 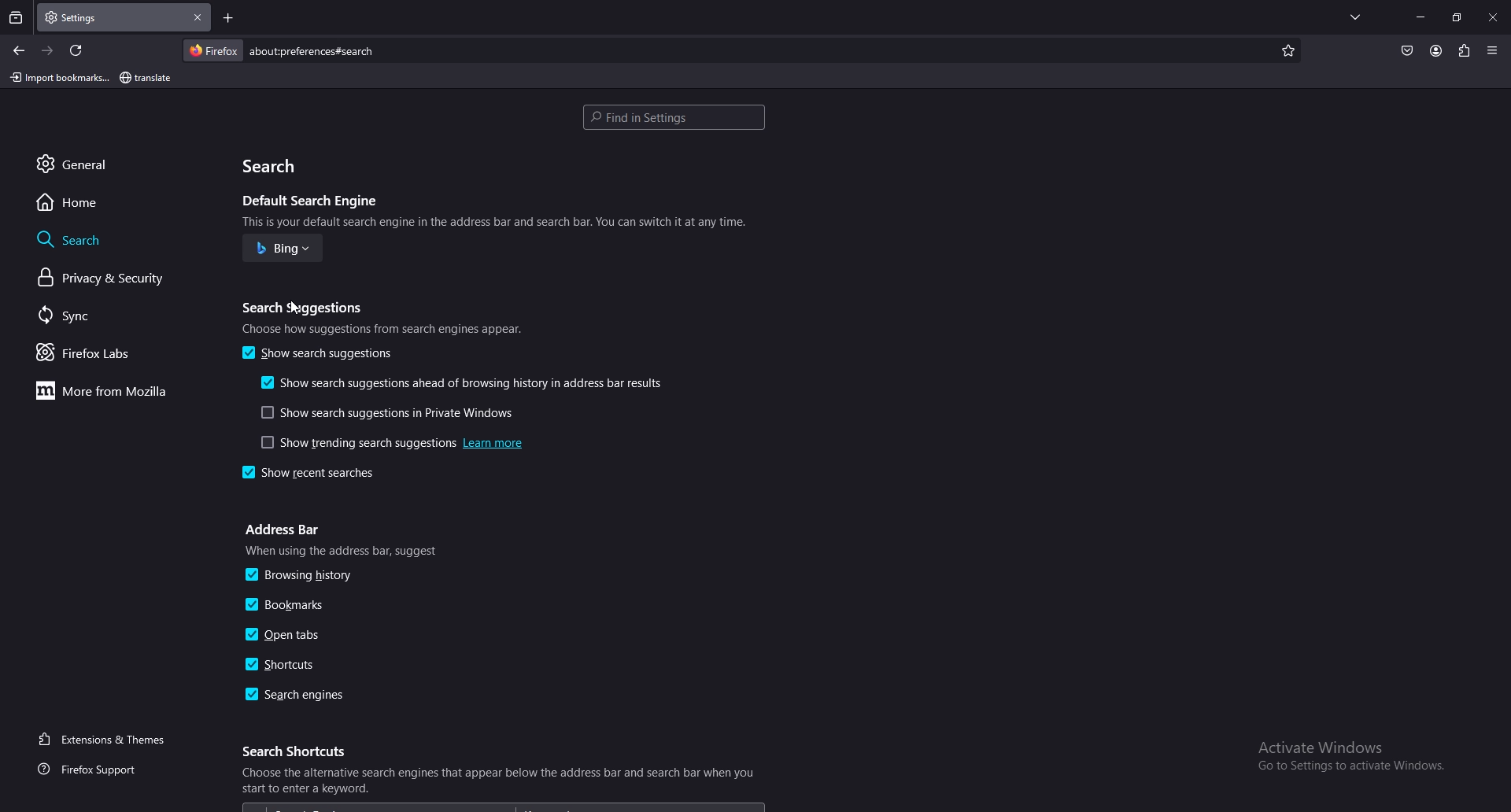 I want to click on info, so click(x=383, y=329).